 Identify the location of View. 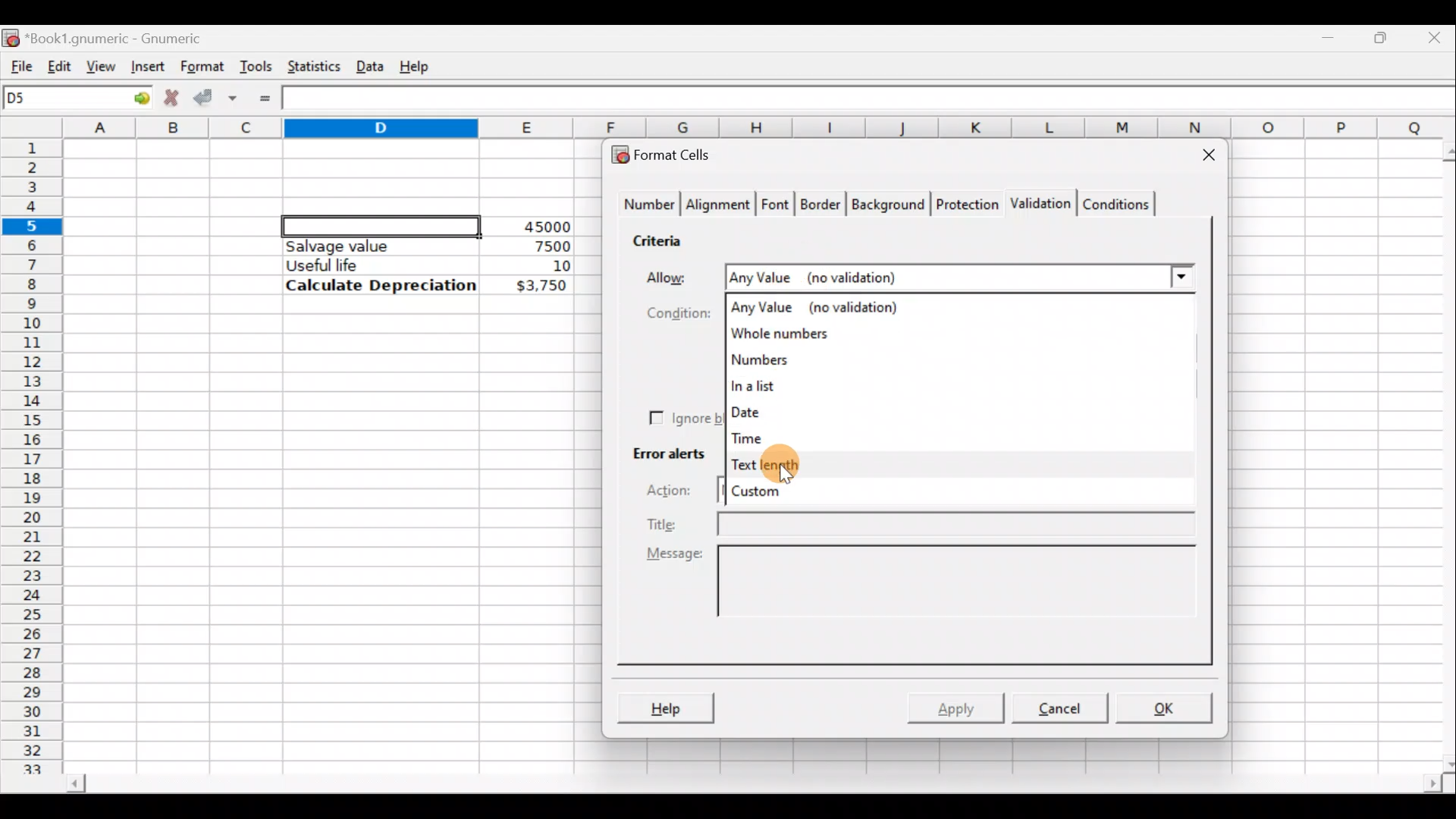
(102, 65).